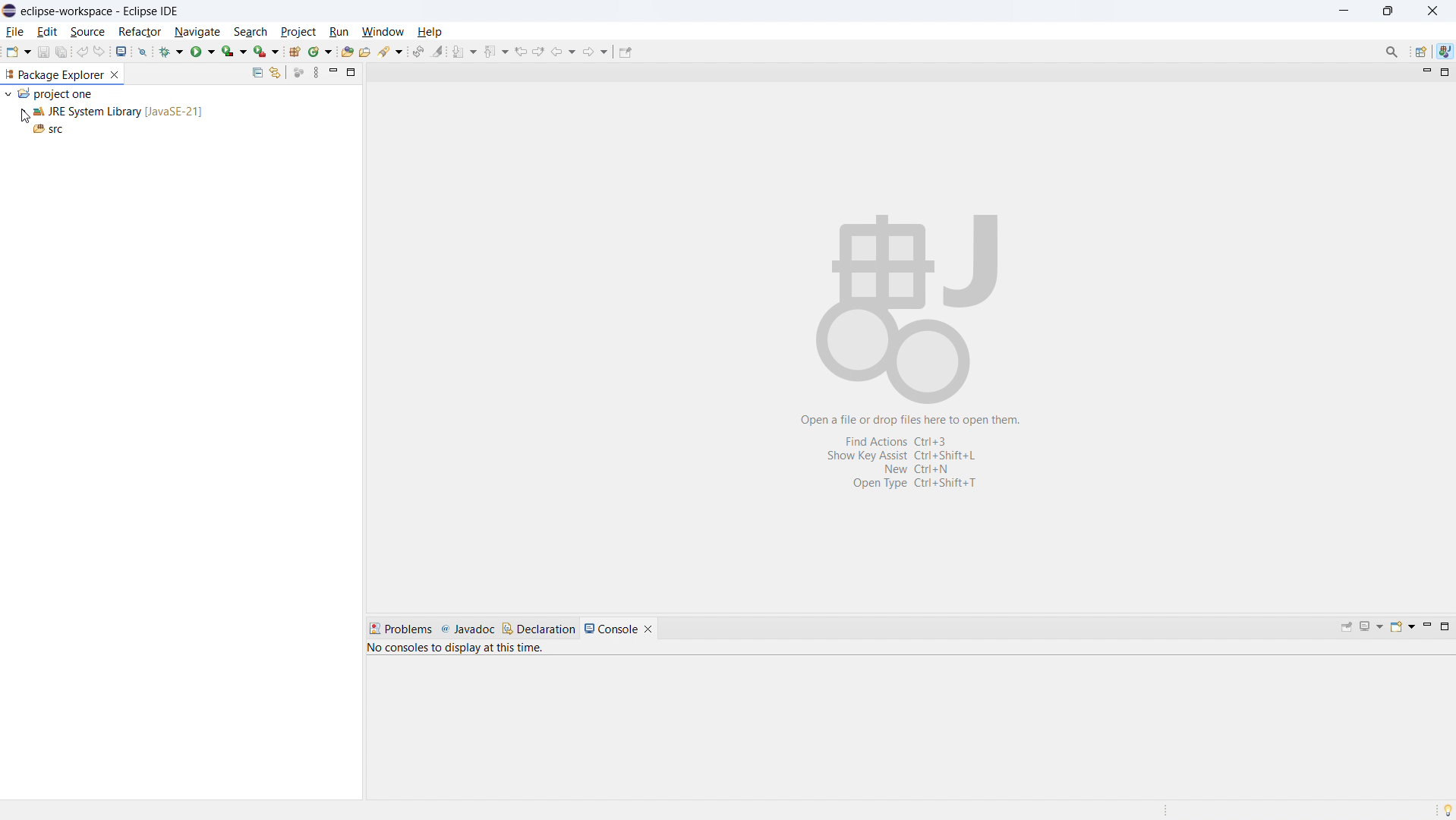  I want to click on problems, so click(399, 627).